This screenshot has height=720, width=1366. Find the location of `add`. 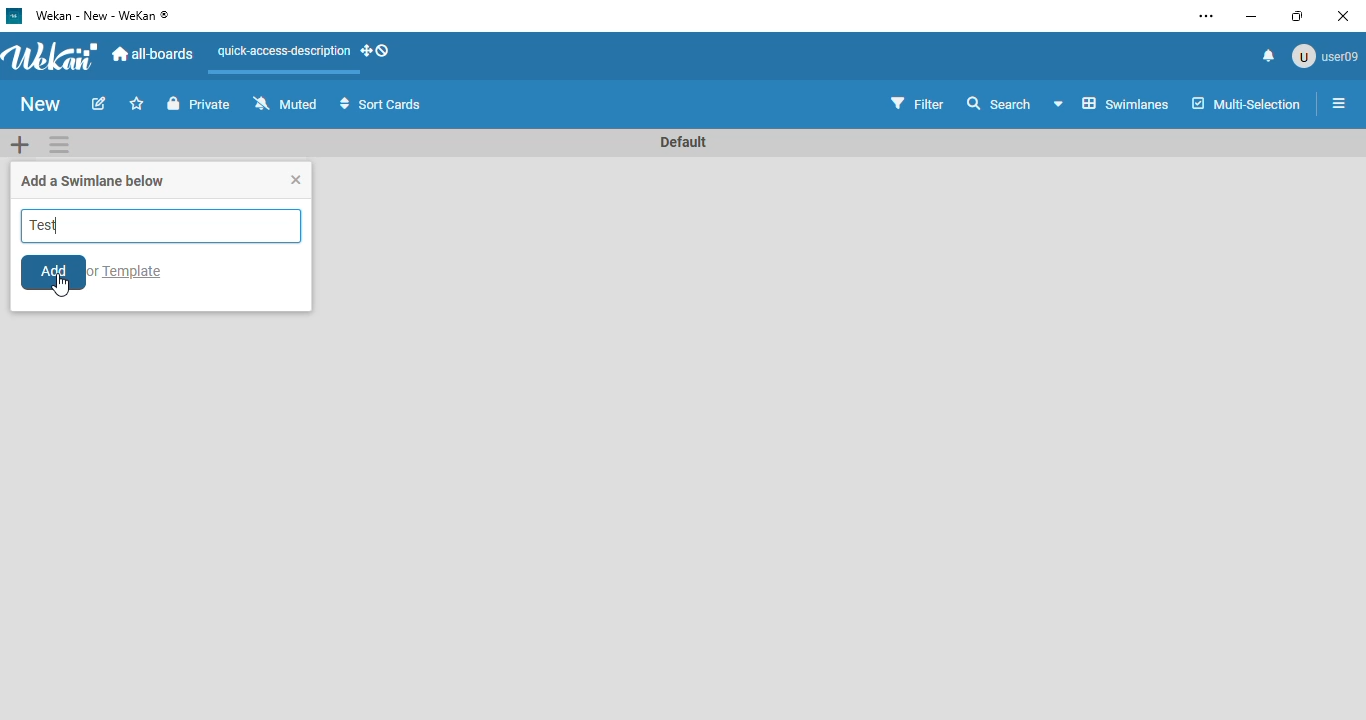

add is located at coordinates (54, 272).